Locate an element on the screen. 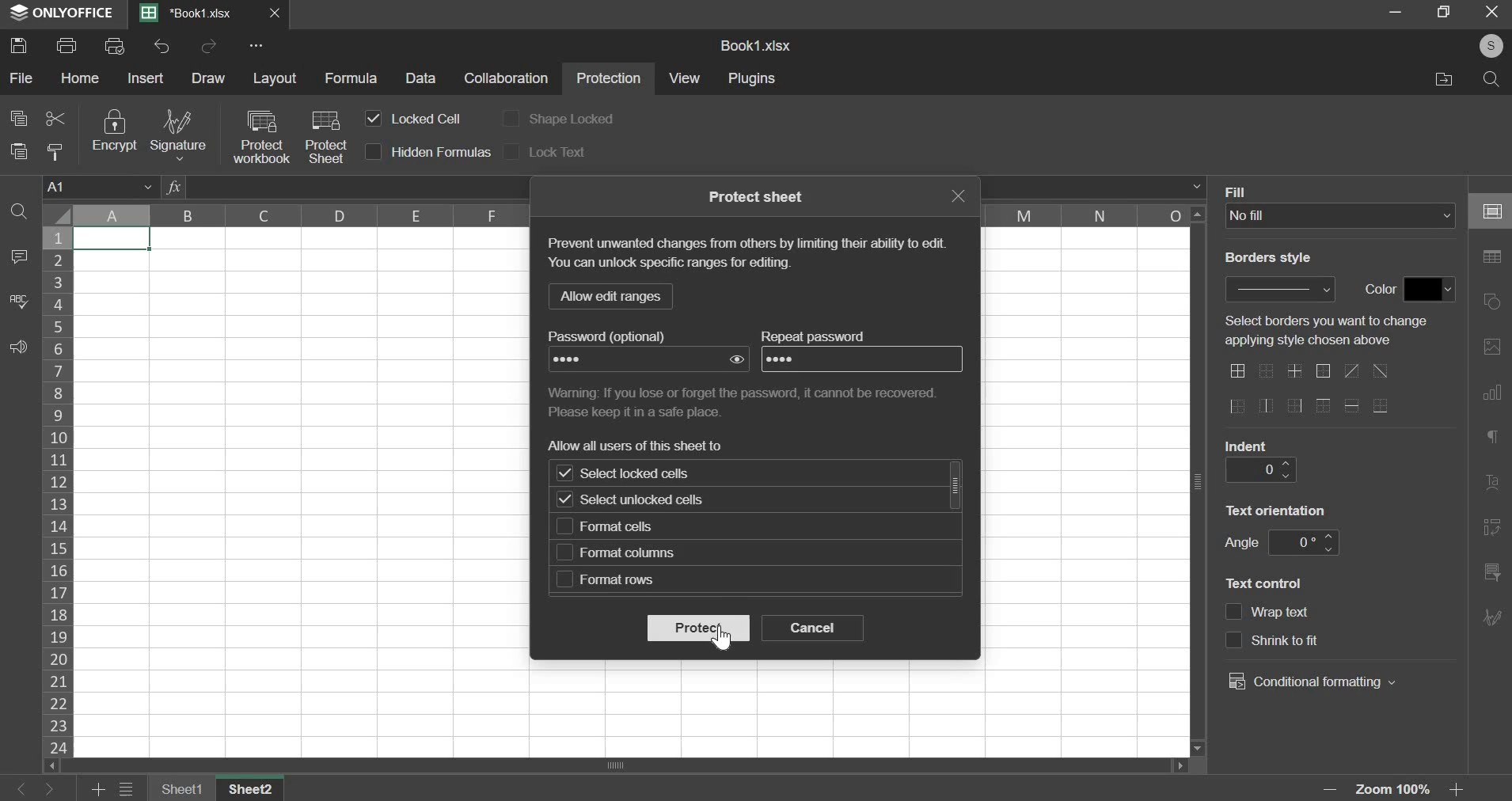  protect workbook is located at coordinates (260, 136).